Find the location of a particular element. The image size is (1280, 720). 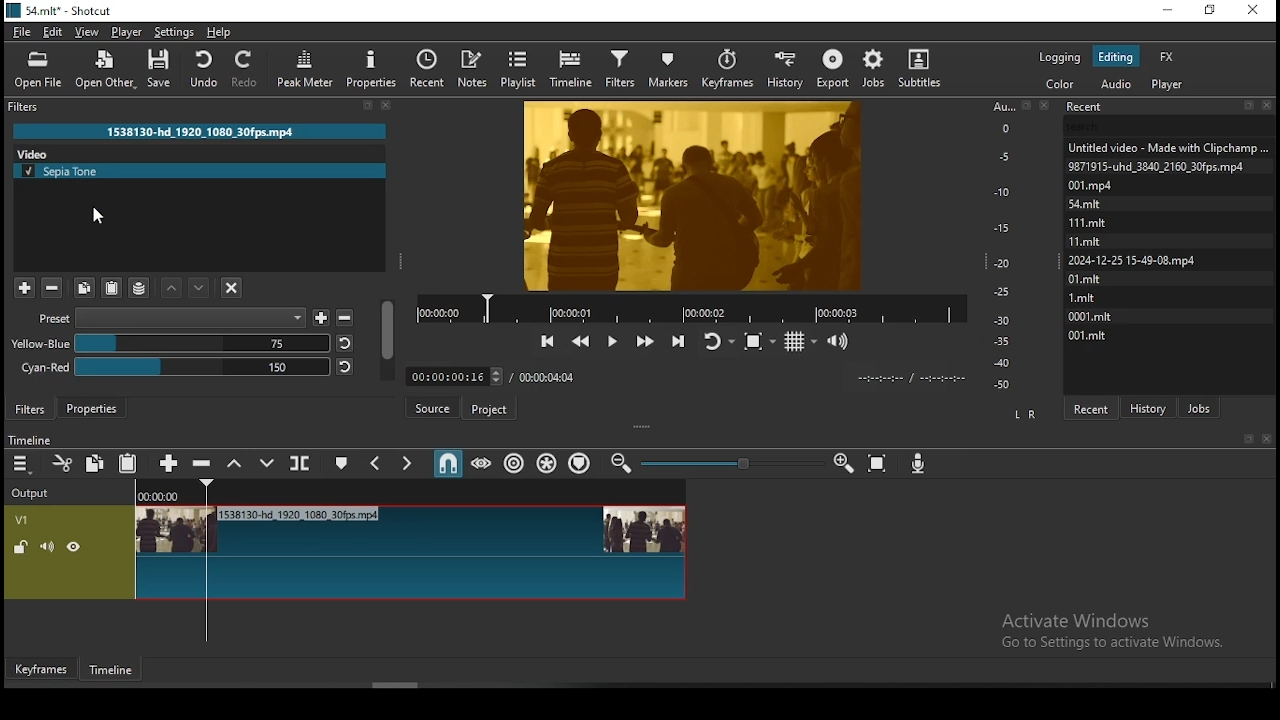

subtitles is located at coordinates (927, 69).